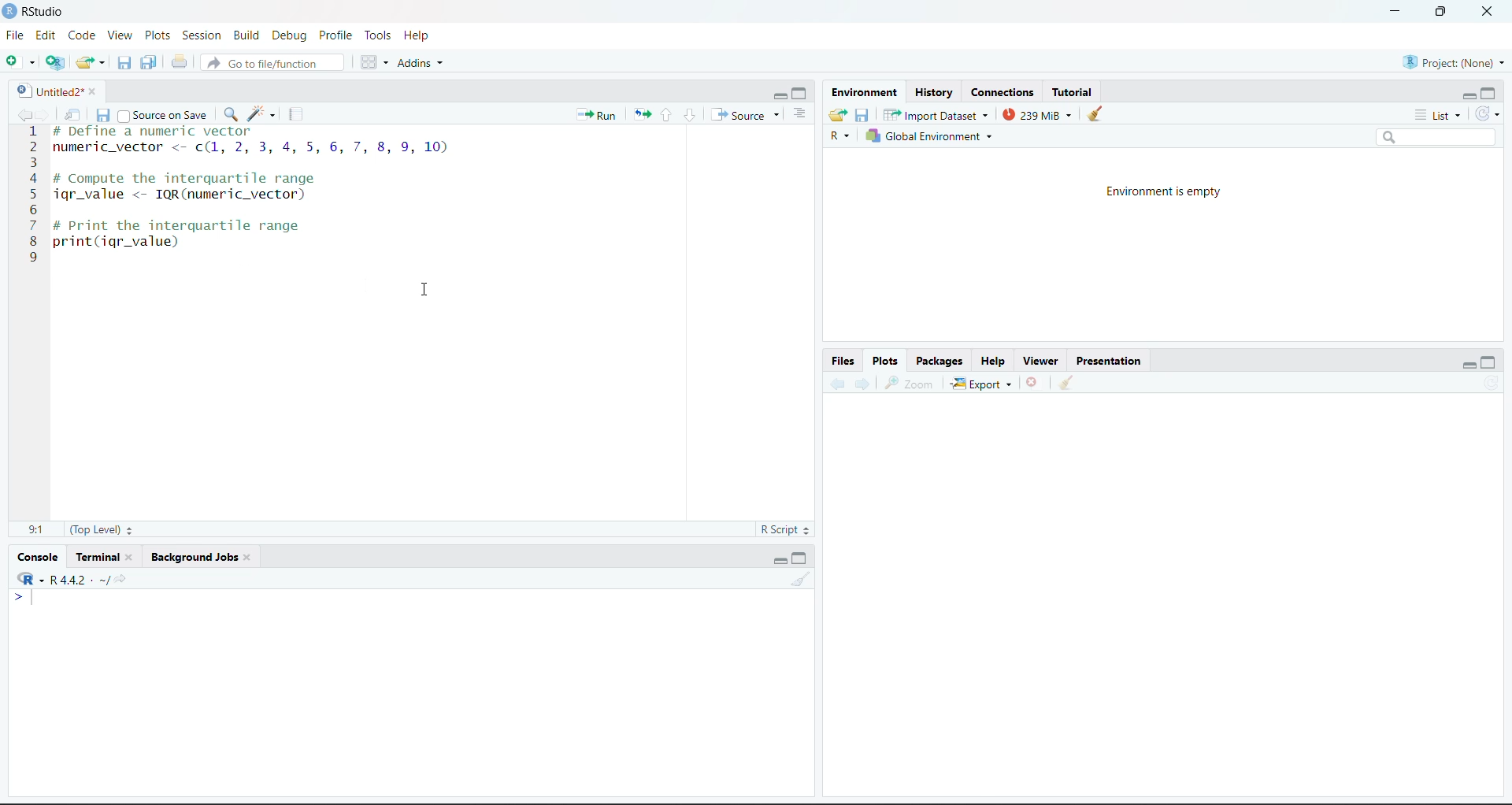  What do you see at coordinates (105, 557) in the screenshot?
I see `Terminal` at bounding box center [105, 557].